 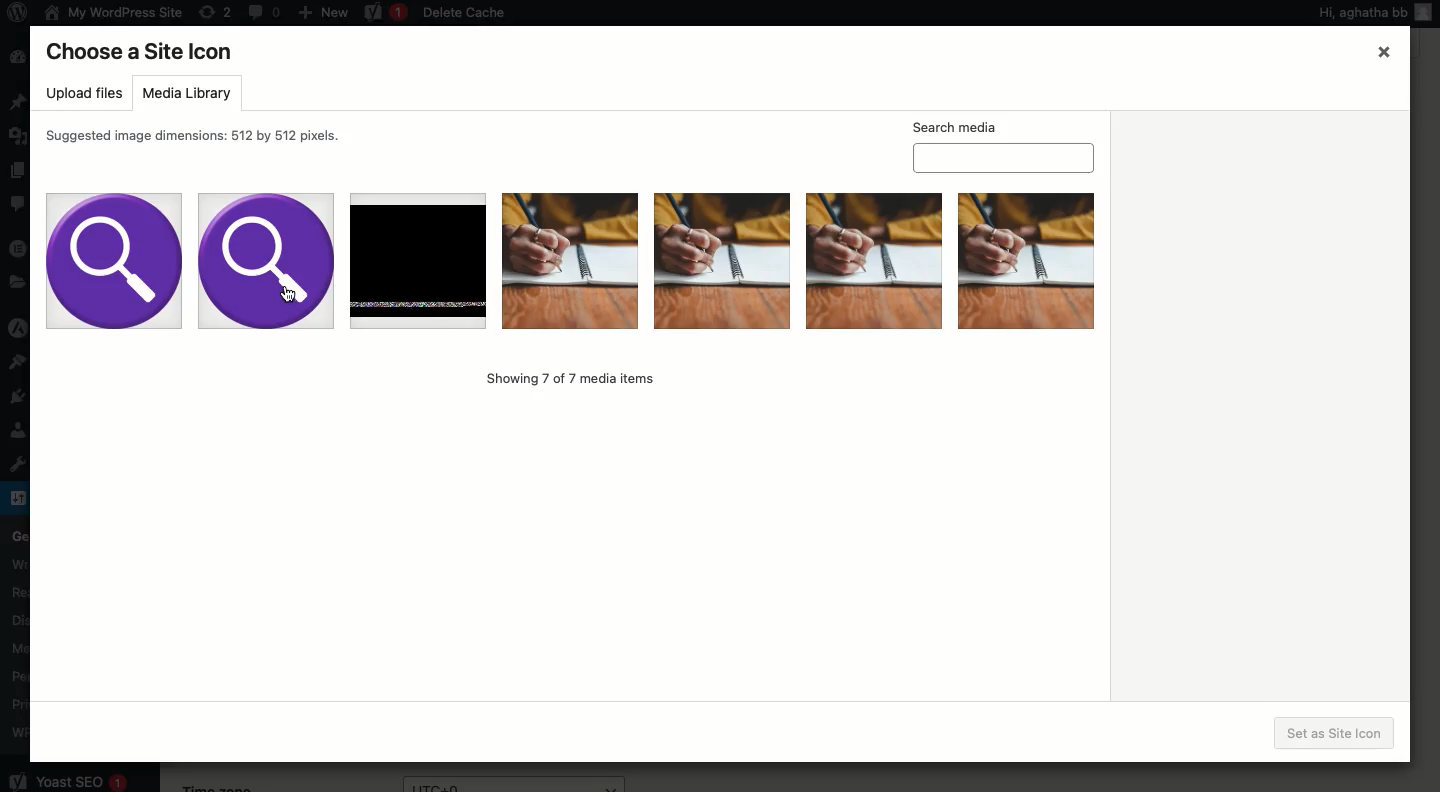 What do you see at coordinates (1027, 258) in the screenshot?
I see `Image` at bounding box center [1027, 258].